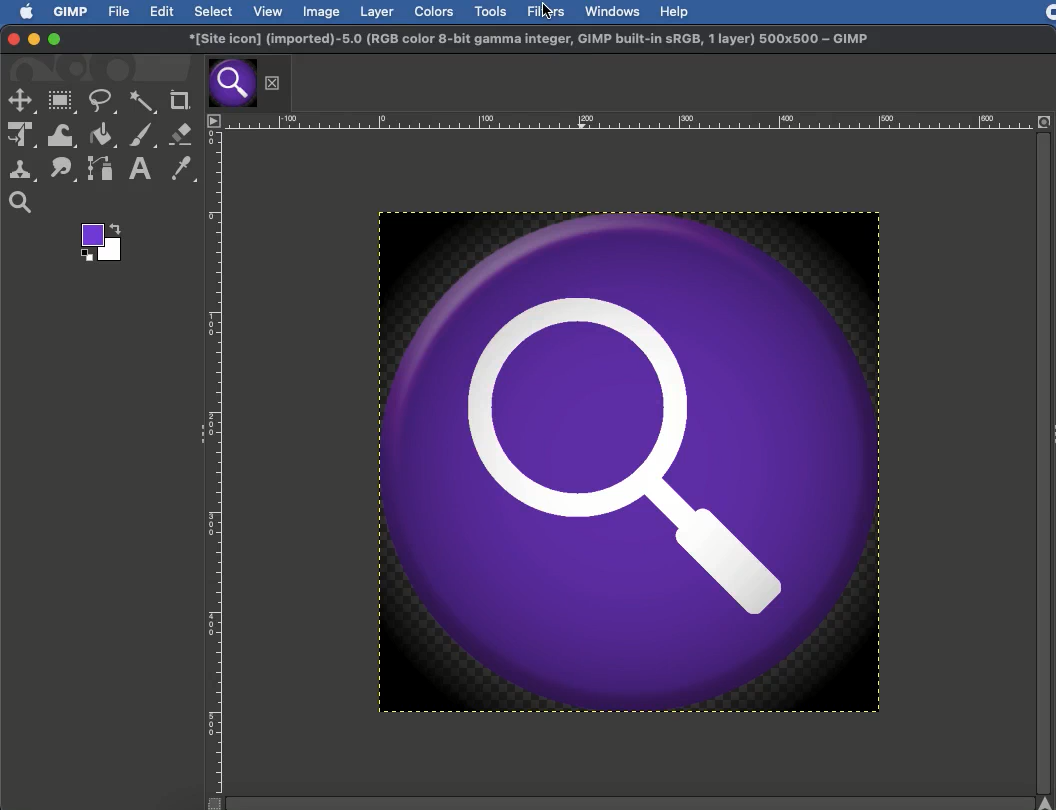 The image size is (1056, 810). Describe the element at coordinates (215, 121) in the screenshot. I see `Menu` at that location.